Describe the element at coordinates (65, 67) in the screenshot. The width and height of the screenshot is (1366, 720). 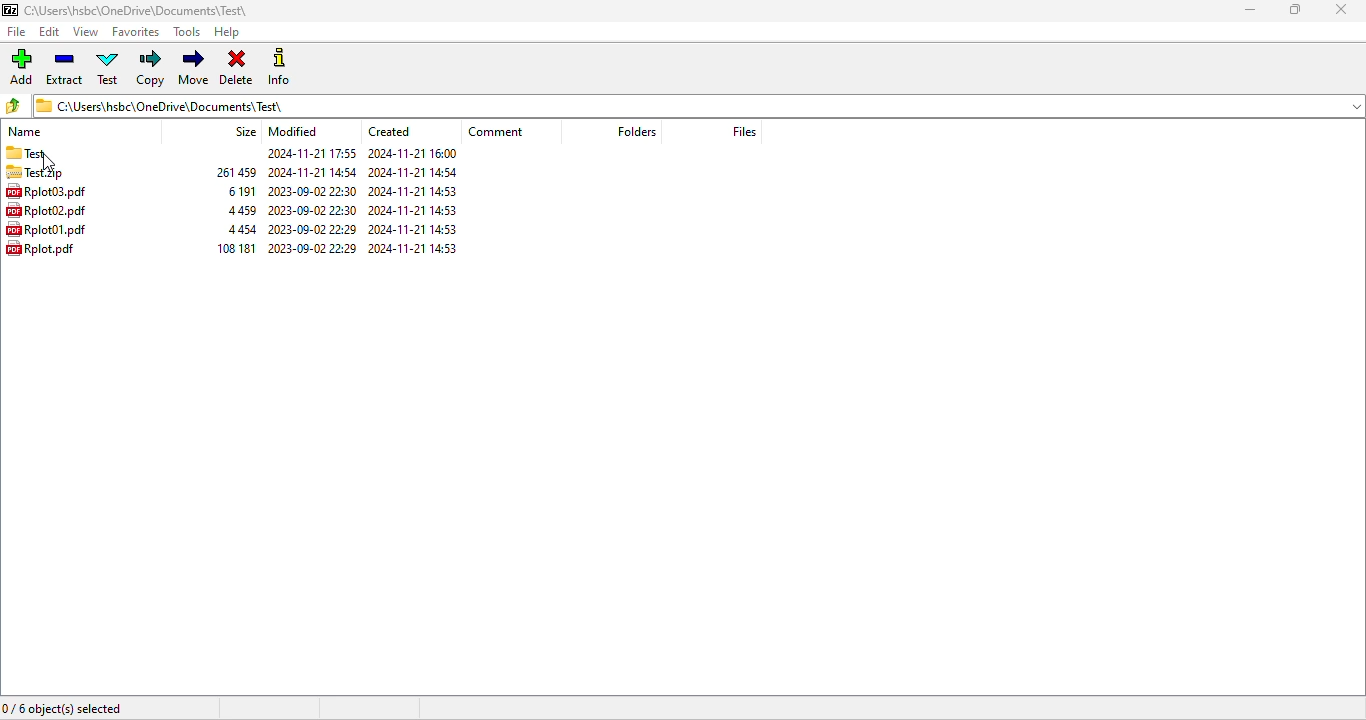
I see `extract` at that location.